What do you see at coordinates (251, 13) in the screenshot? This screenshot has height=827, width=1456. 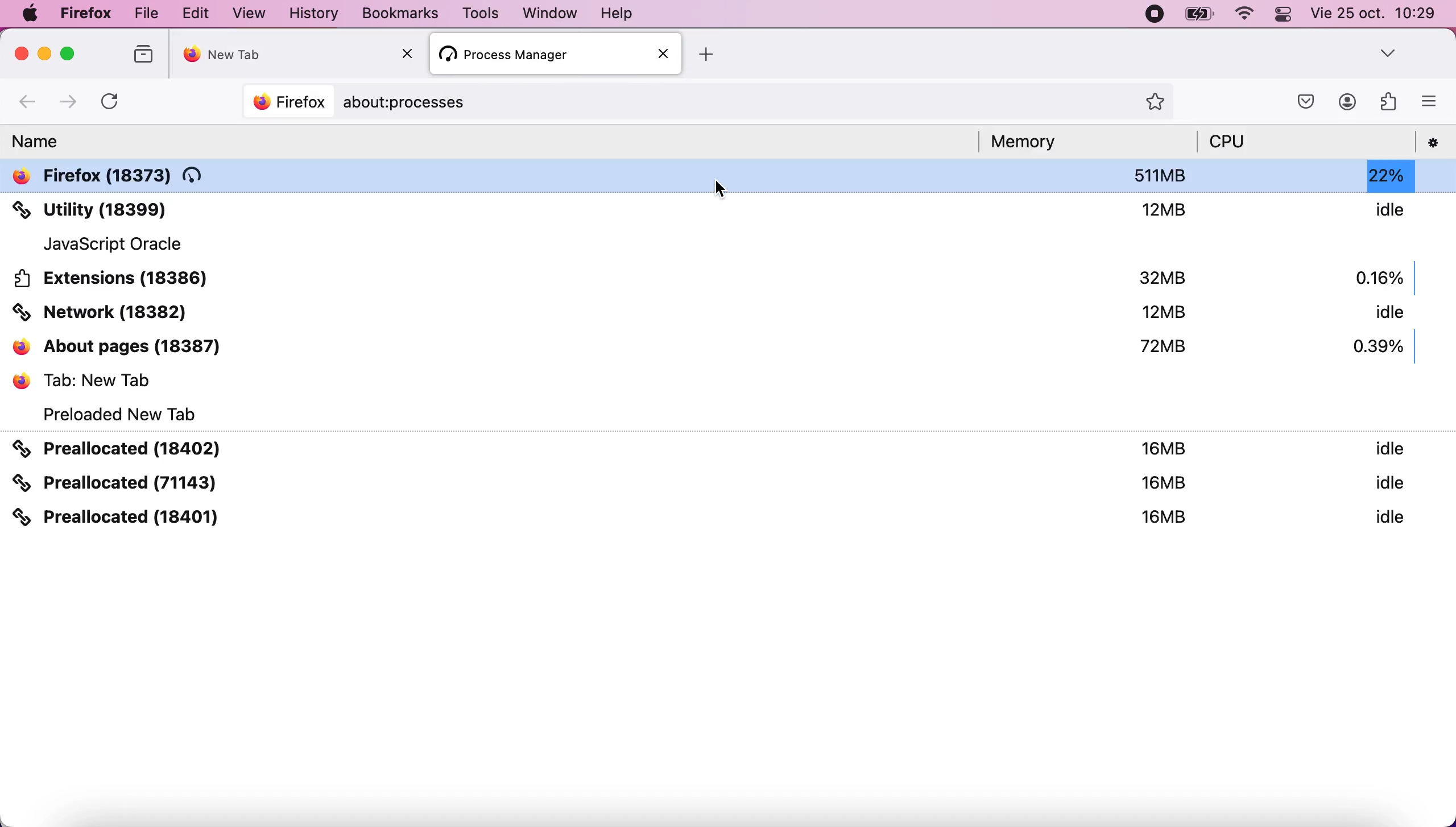 I see `View` at bounding box center [251, 13].